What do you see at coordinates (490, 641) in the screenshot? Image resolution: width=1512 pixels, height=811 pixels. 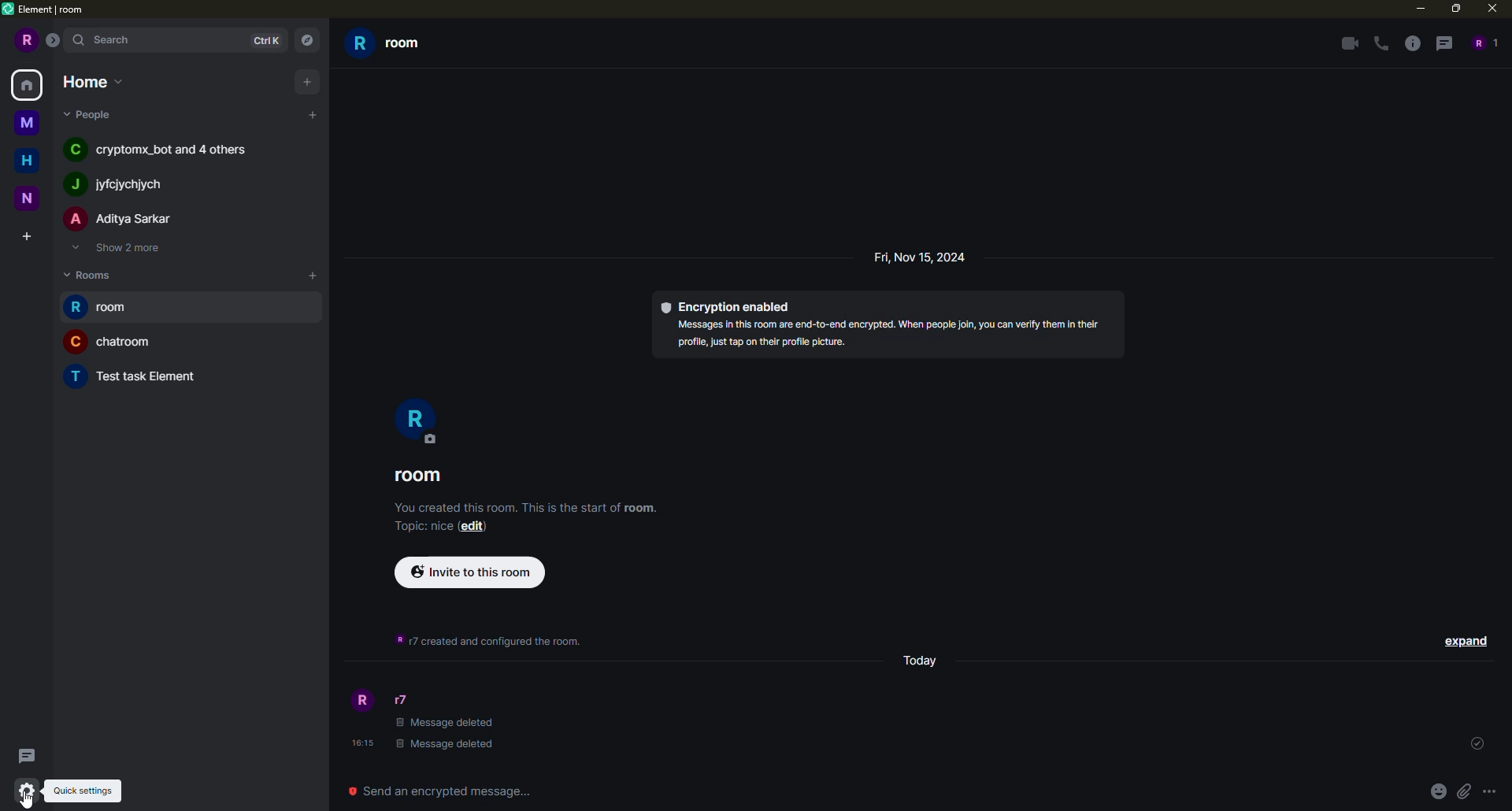 I see `info` at bounding box center [490, 641].